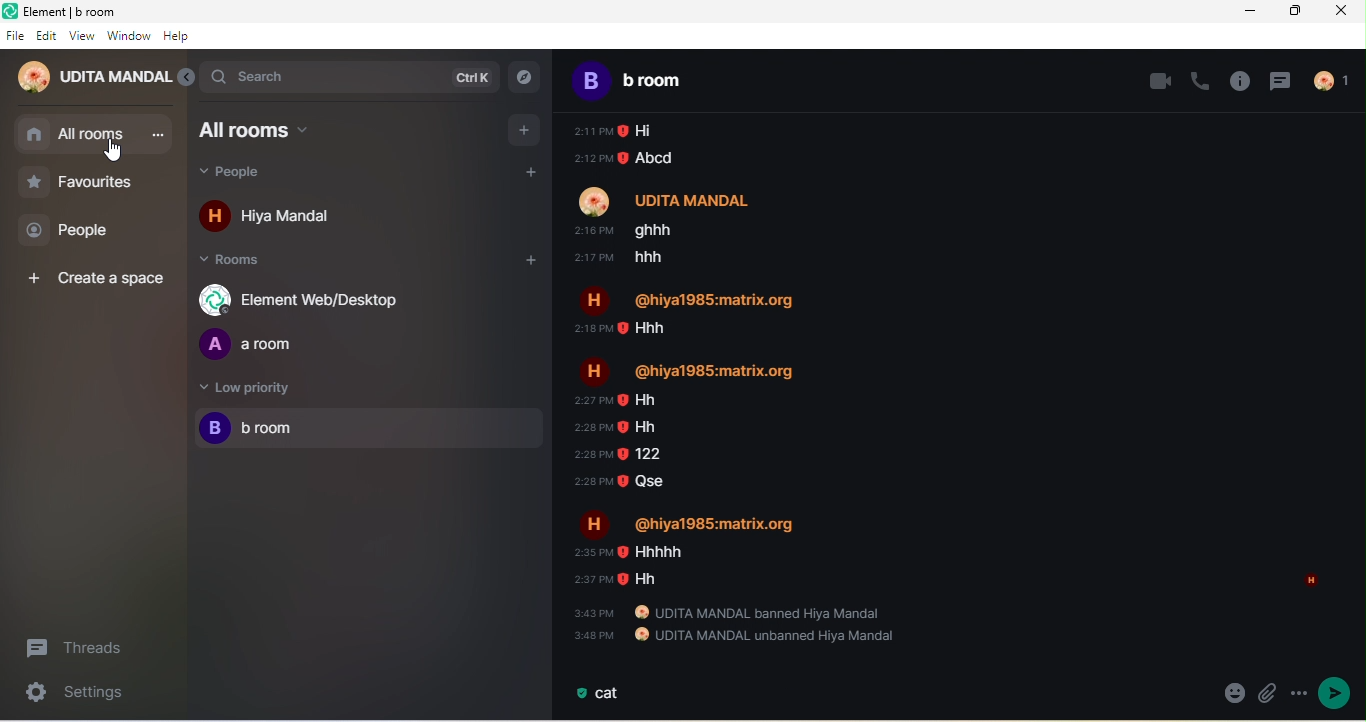 The height and width of the screenshot is (722, 1366). I want to click on add room, so click(519, 264).